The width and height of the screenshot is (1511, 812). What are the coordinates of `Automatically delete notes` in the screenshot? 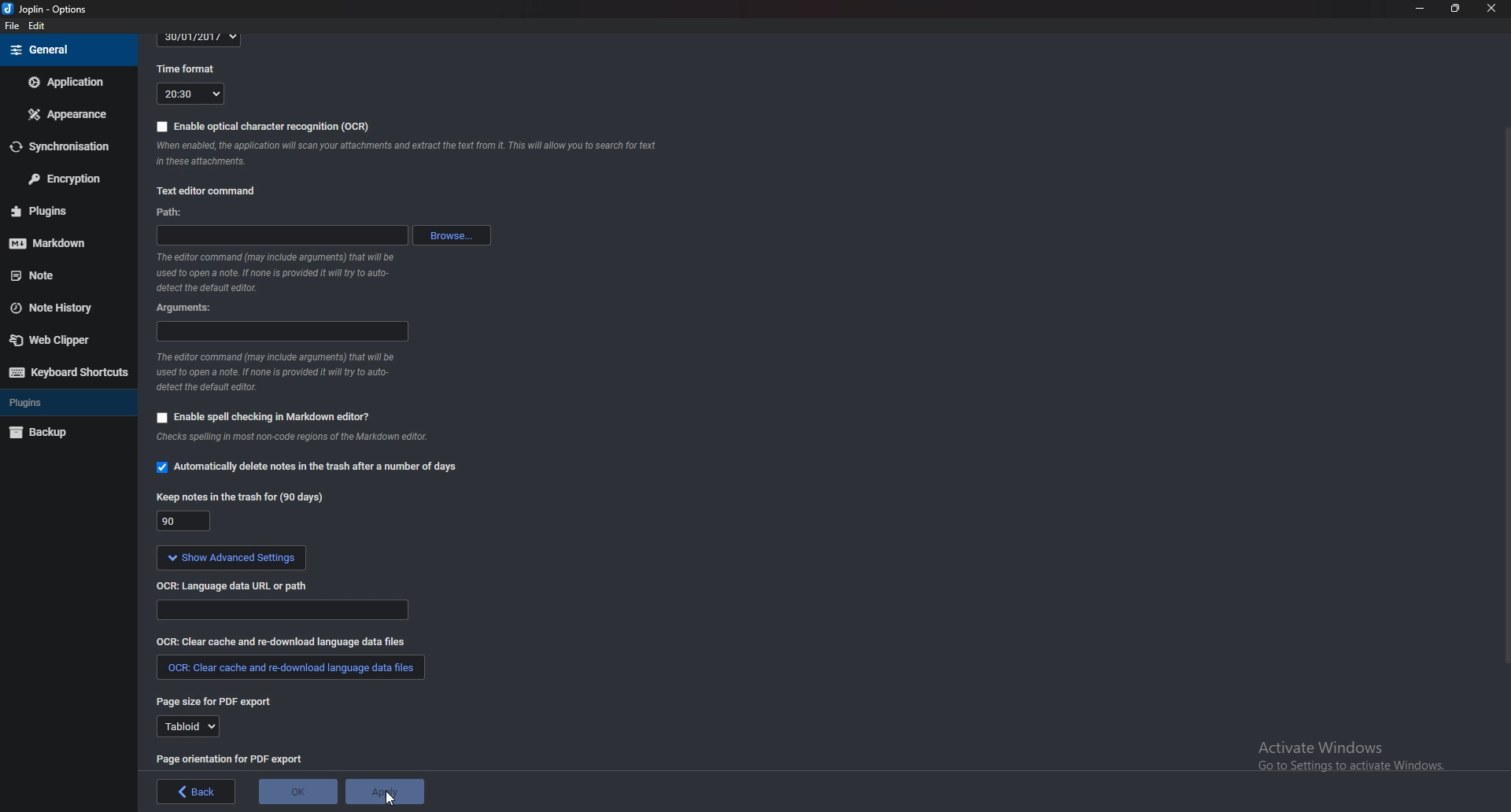 It's located at (310, 465).